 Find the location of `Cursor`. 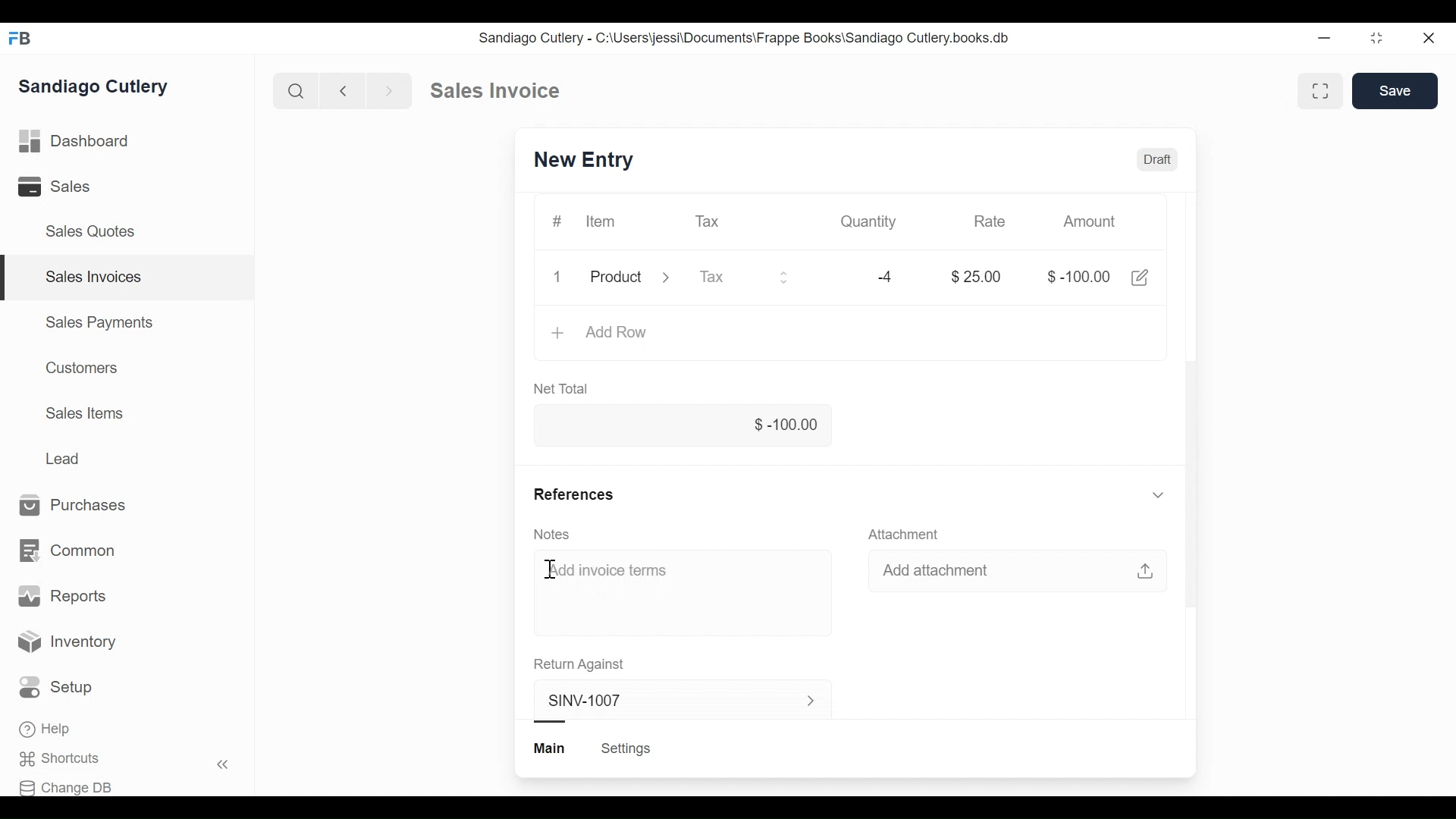

Cursor is located at coordinates (549, 570).